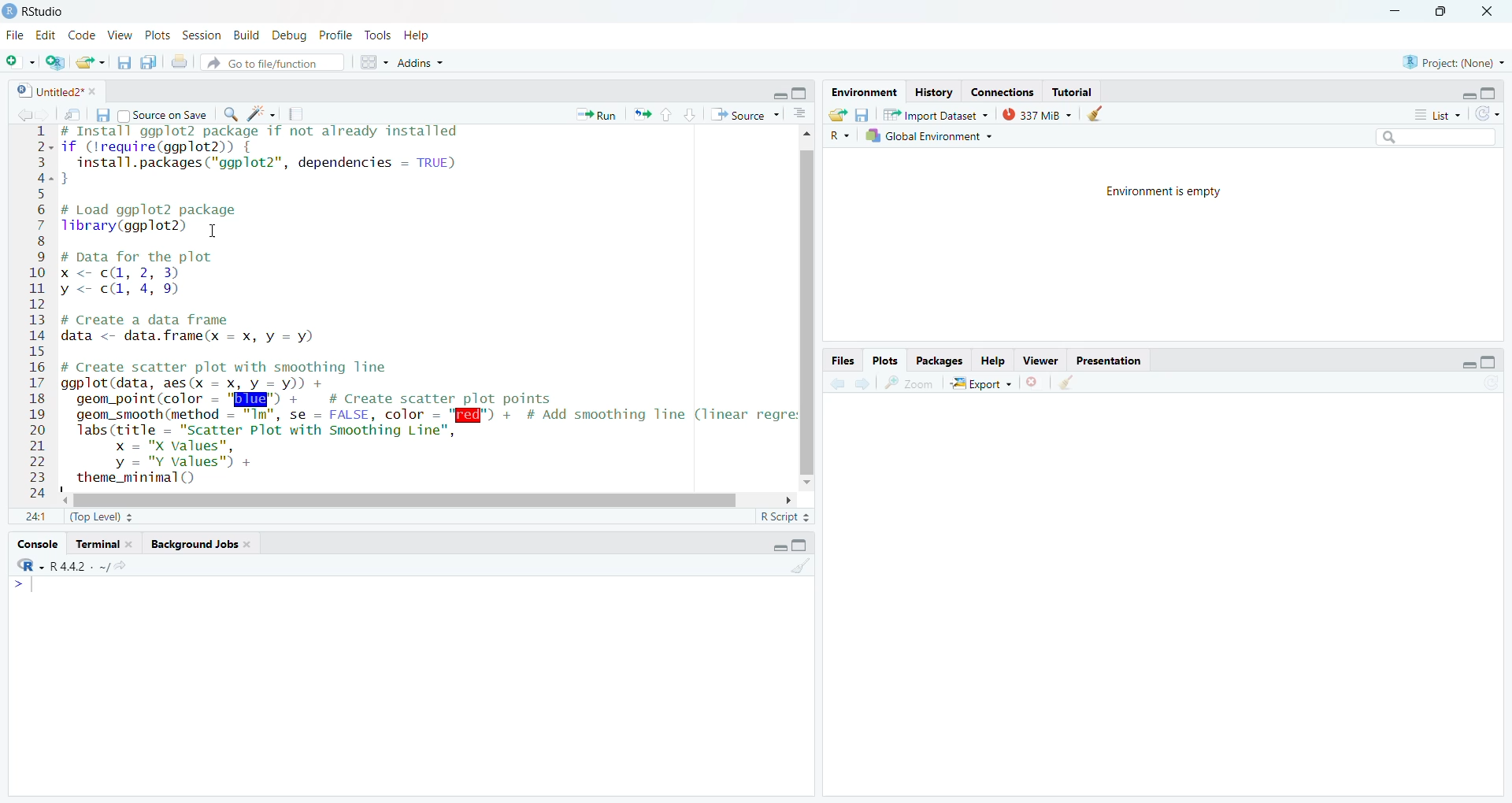 This screenshot has width=1512, height=803. I want to click on maximize, so click(1442, 11).